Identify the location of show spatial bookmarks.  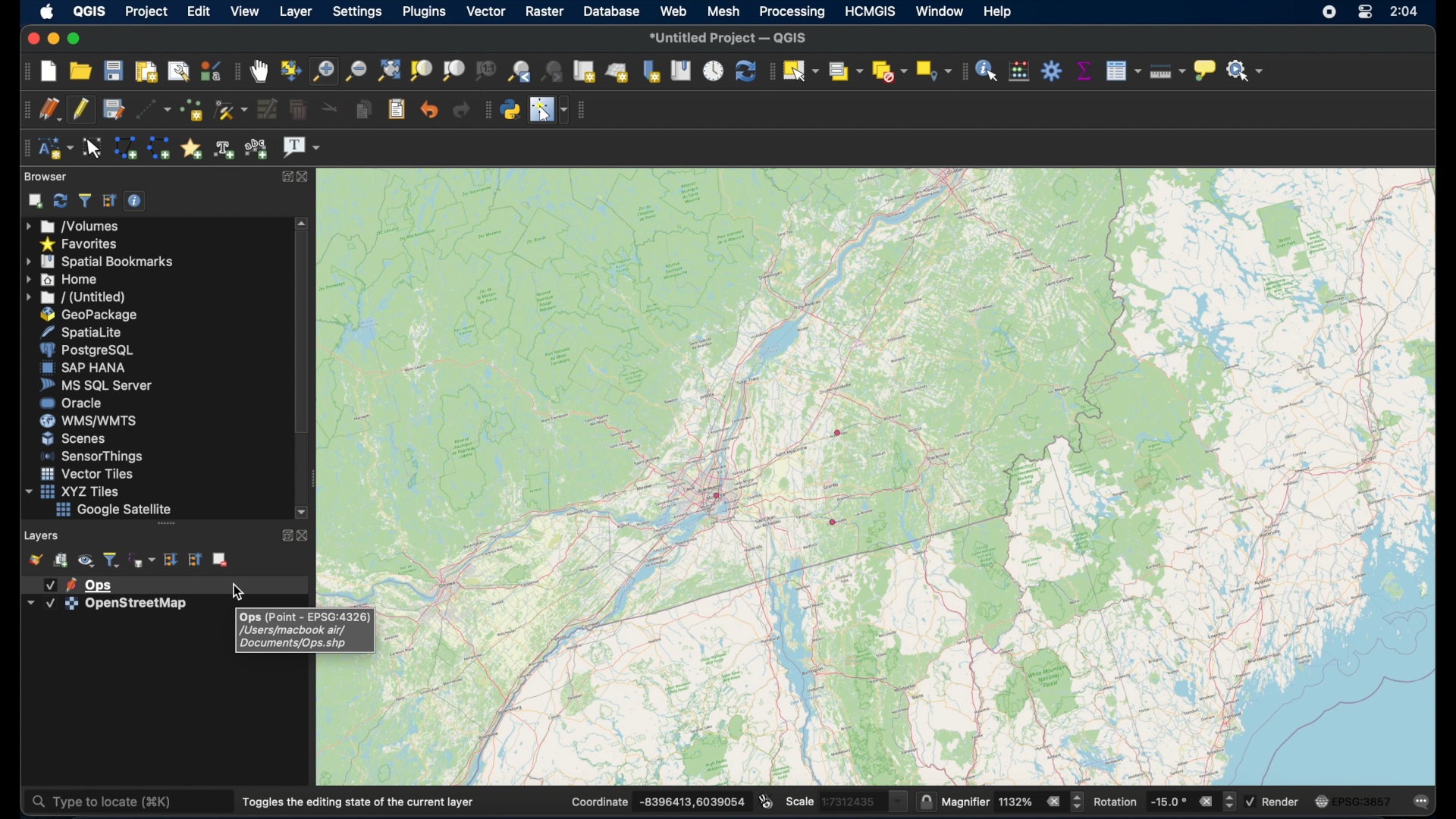
(682, 71).